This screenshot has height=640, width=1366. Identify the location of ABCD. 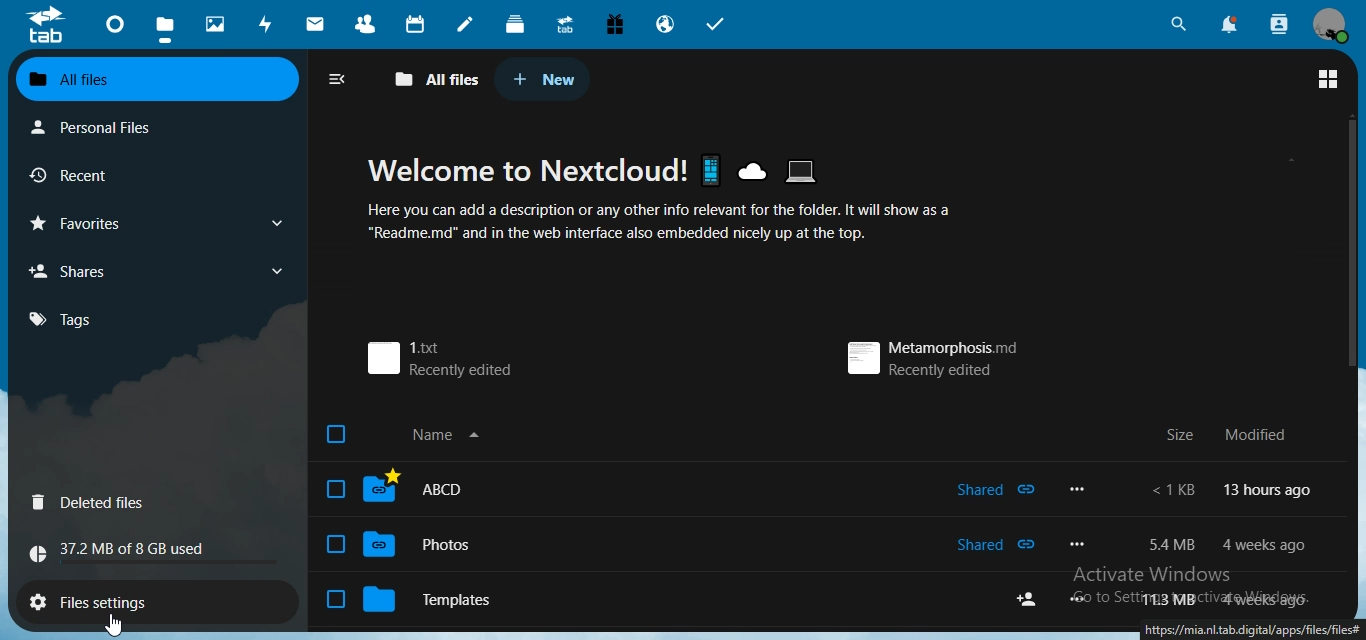
(448, 489).